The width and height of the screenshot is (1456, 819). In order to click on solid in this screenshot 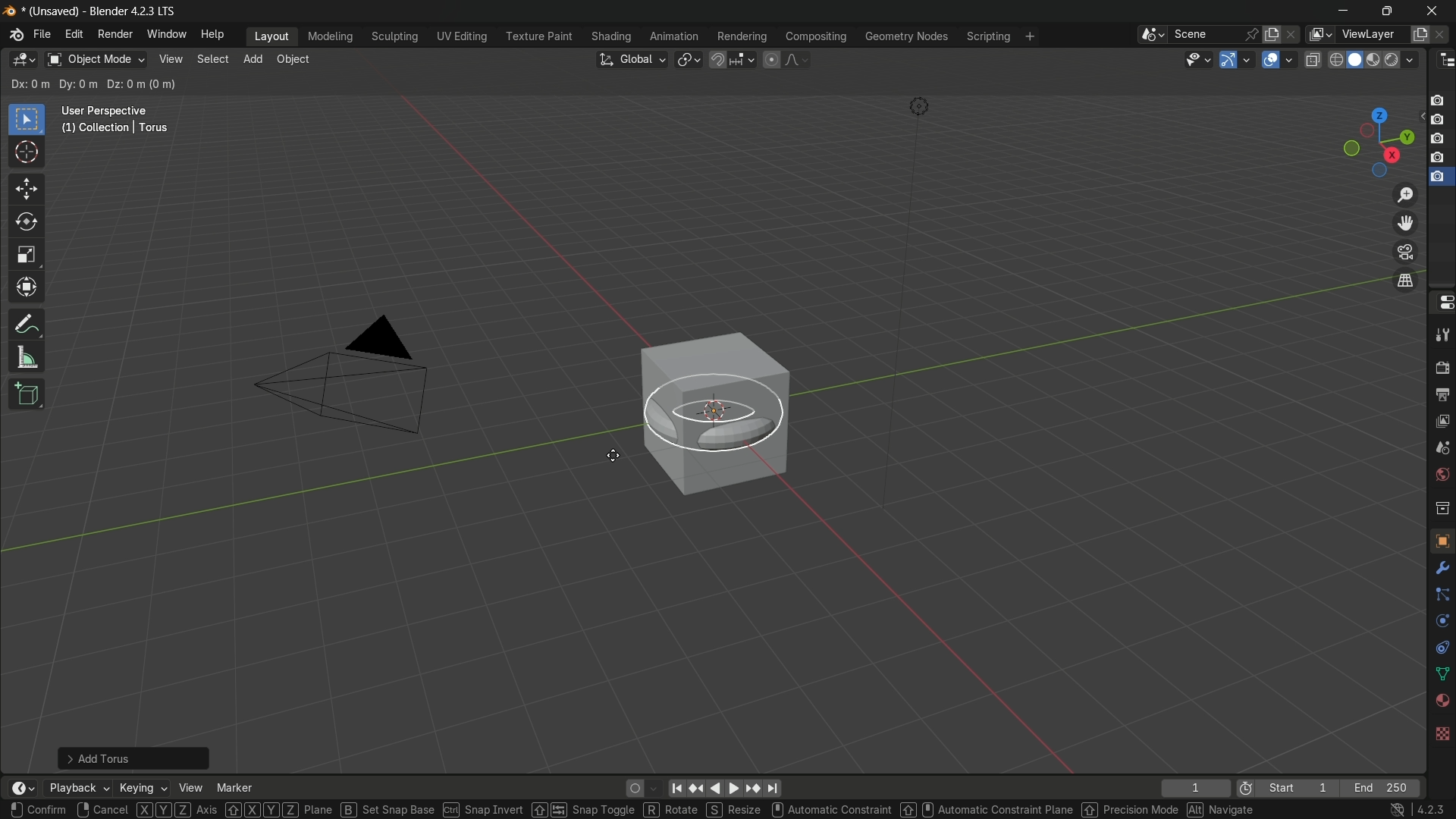, I will do `click(1357, 60)`.